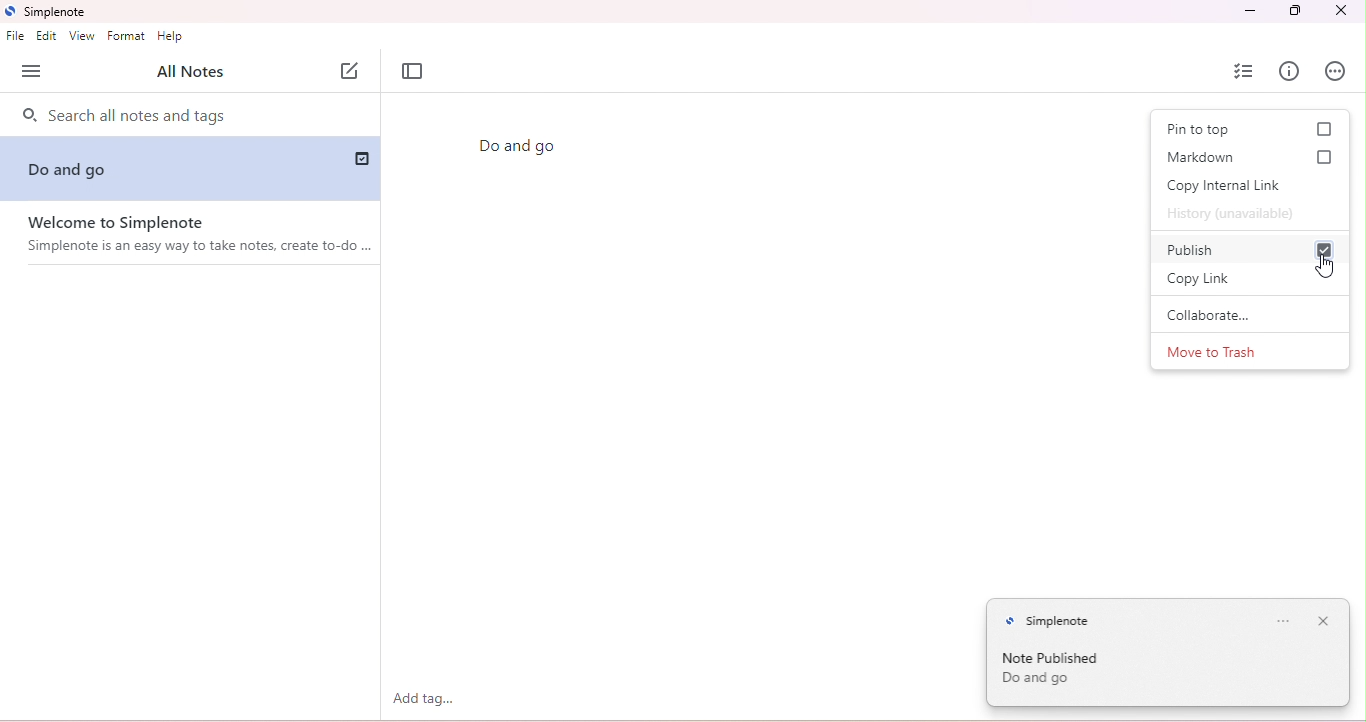  I want to click on open side bar, so click(31, 72).